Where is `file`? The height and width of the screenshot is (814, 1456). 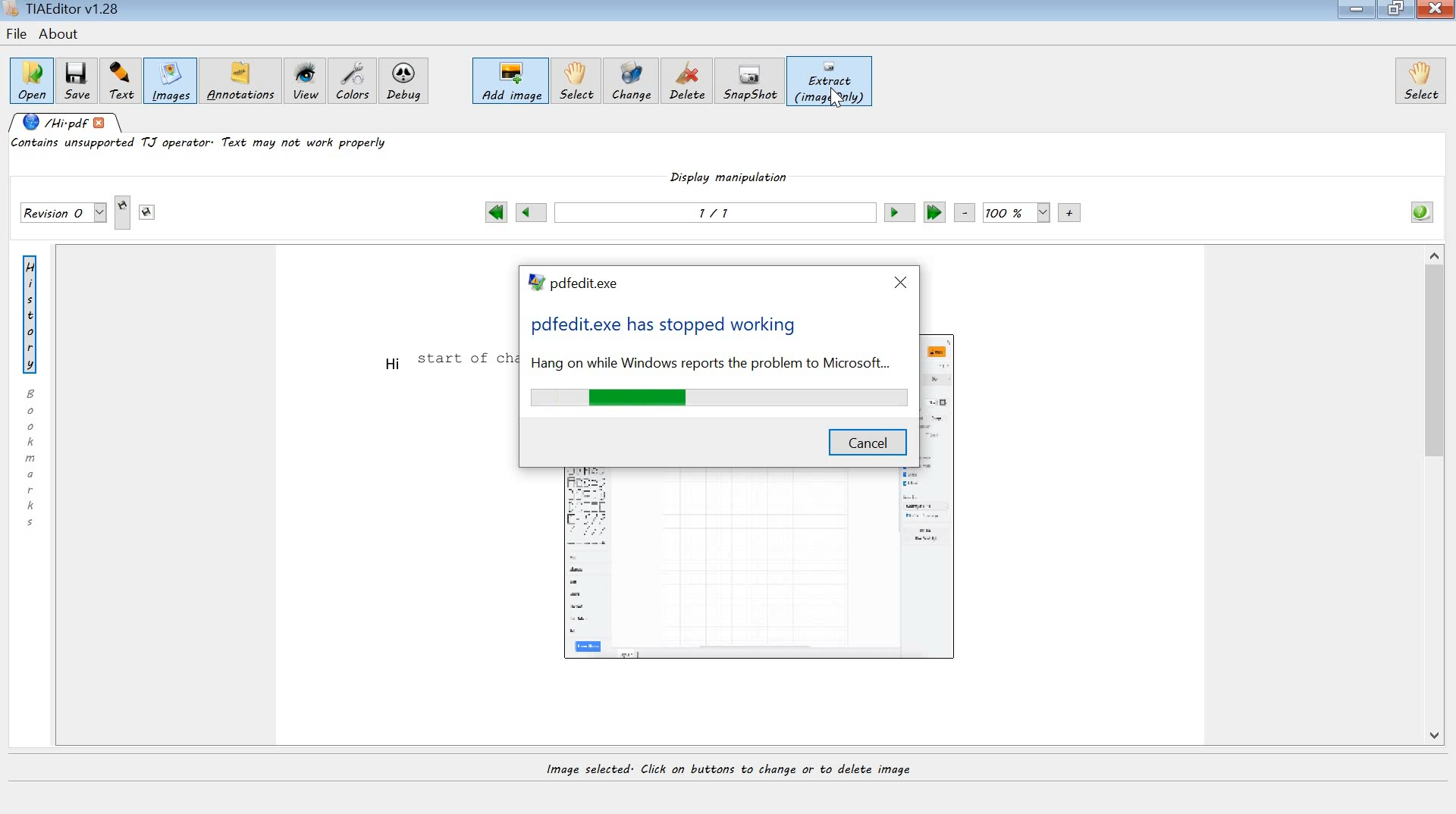 file is located at coordinates (16, 34).